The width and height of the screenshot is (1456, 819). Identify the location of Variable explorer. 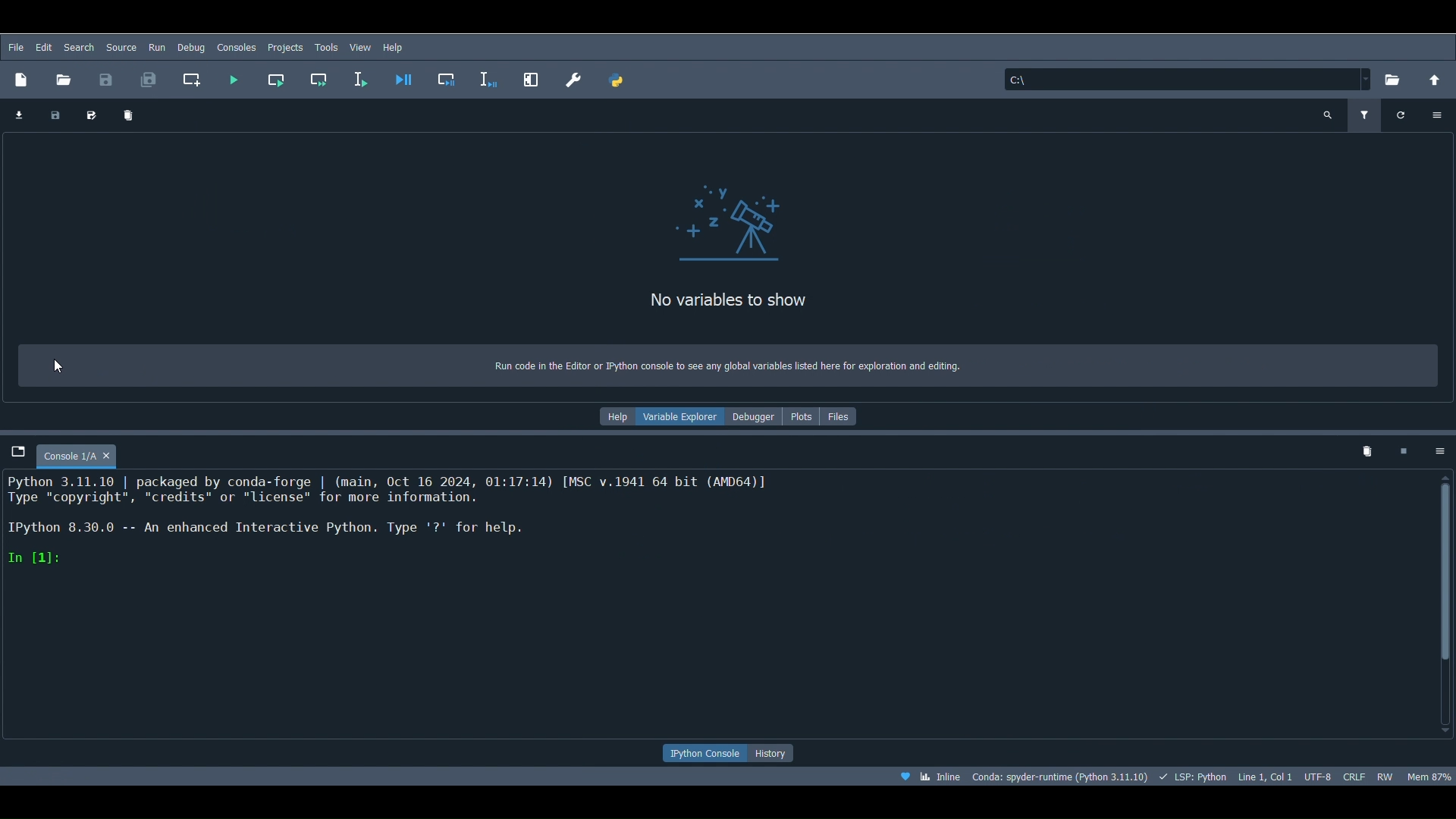
(682, 419).